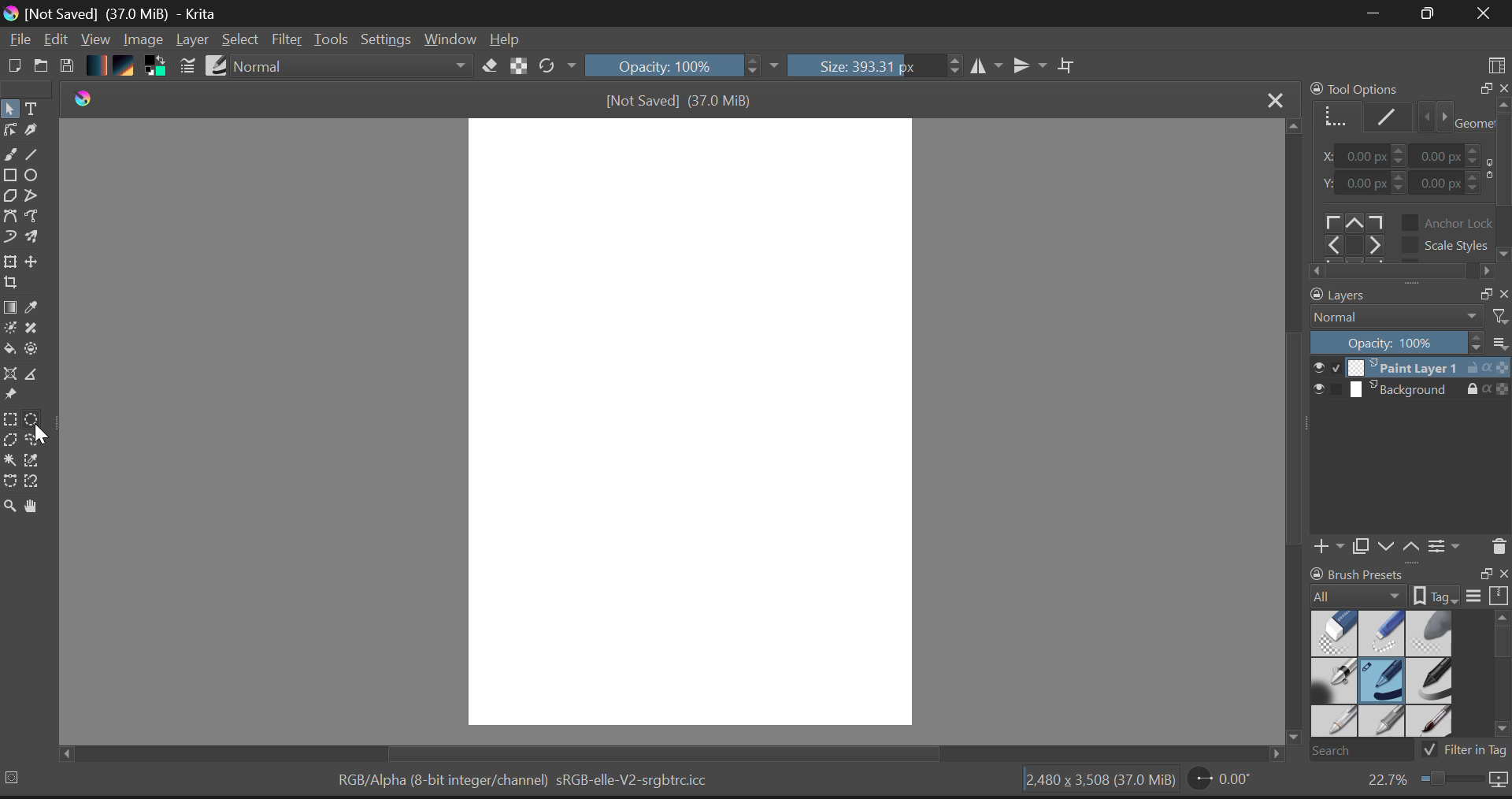 The image size is (1512, 799). What do you see at coordinates (37, 420) in the screenshot?
I see `Cursor on Circular Selection` at bounding box center [37, 420].